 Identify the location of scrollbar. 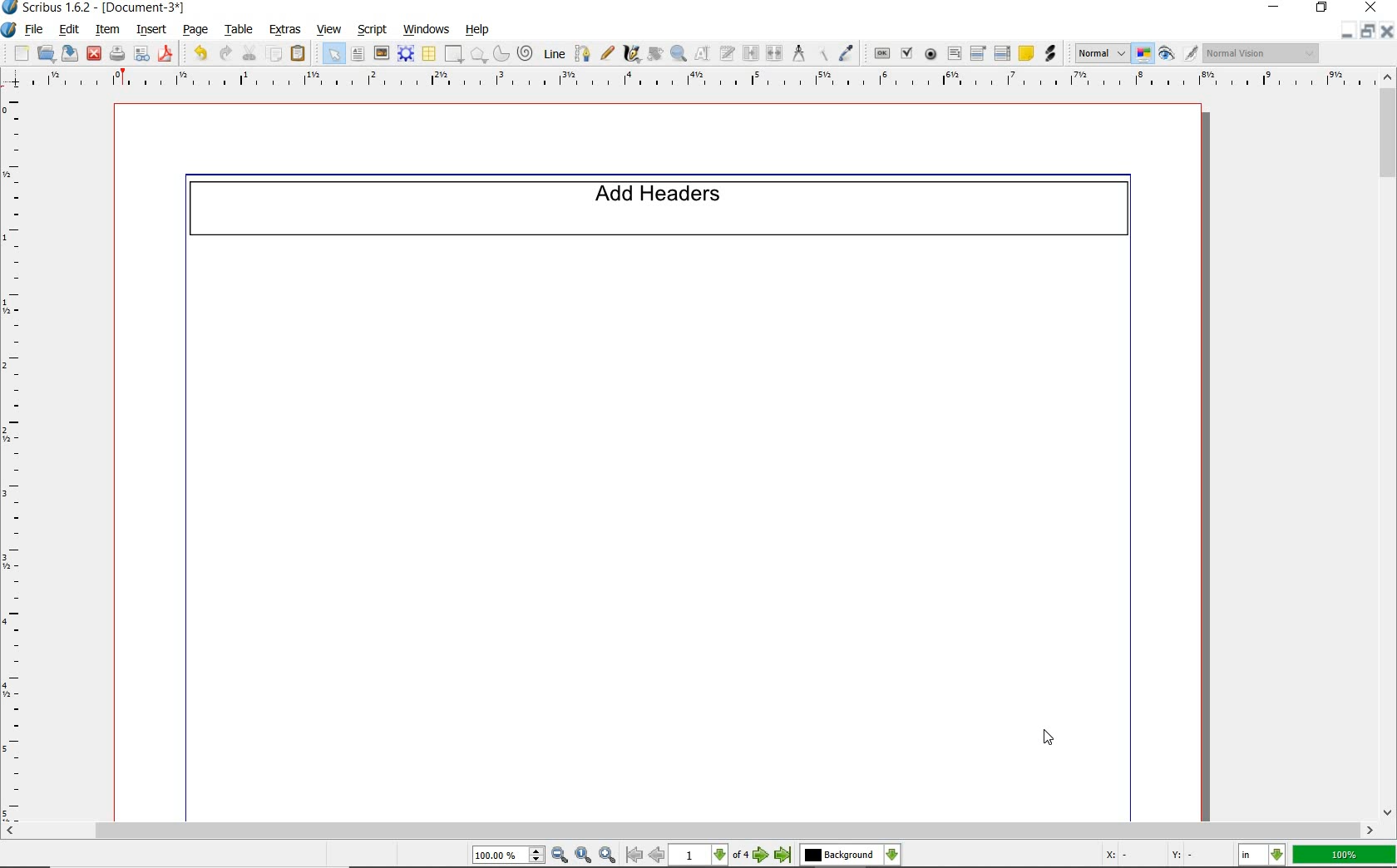
(1389, 444).